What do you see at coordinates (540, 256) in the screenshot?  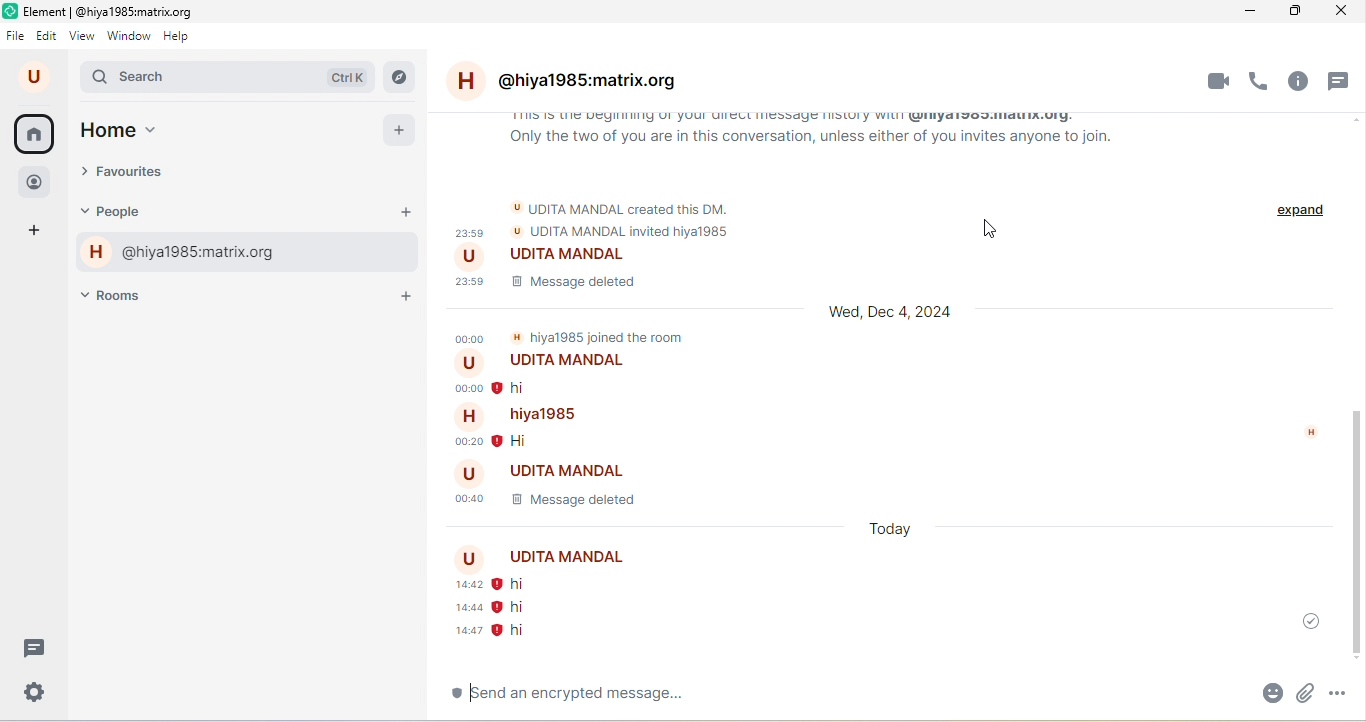 I see `udita mandal` at bounding box center [540, 256].